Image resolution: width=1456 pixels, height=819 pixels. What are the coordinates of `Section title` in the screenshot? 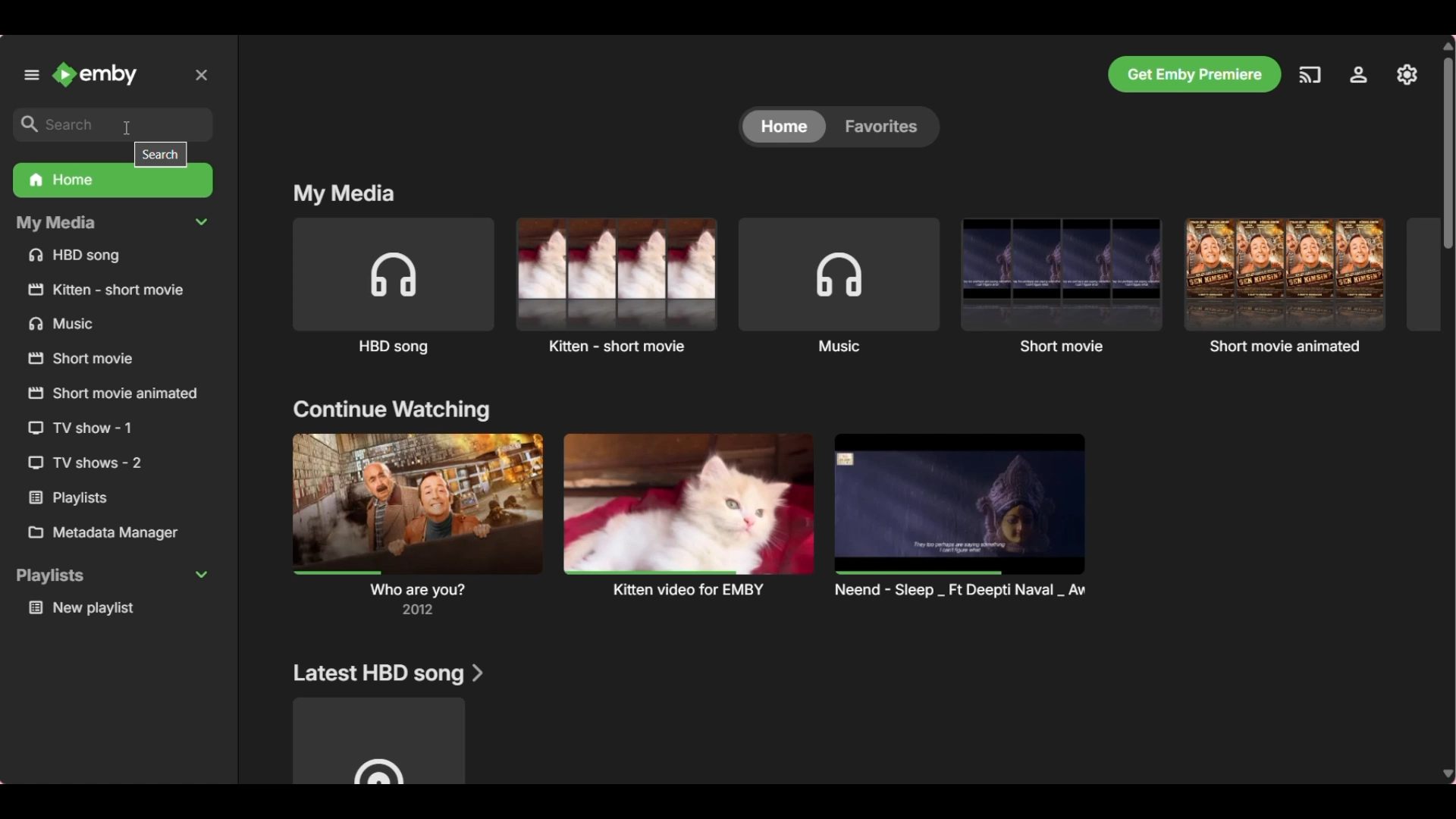 It's located at (388, 674).